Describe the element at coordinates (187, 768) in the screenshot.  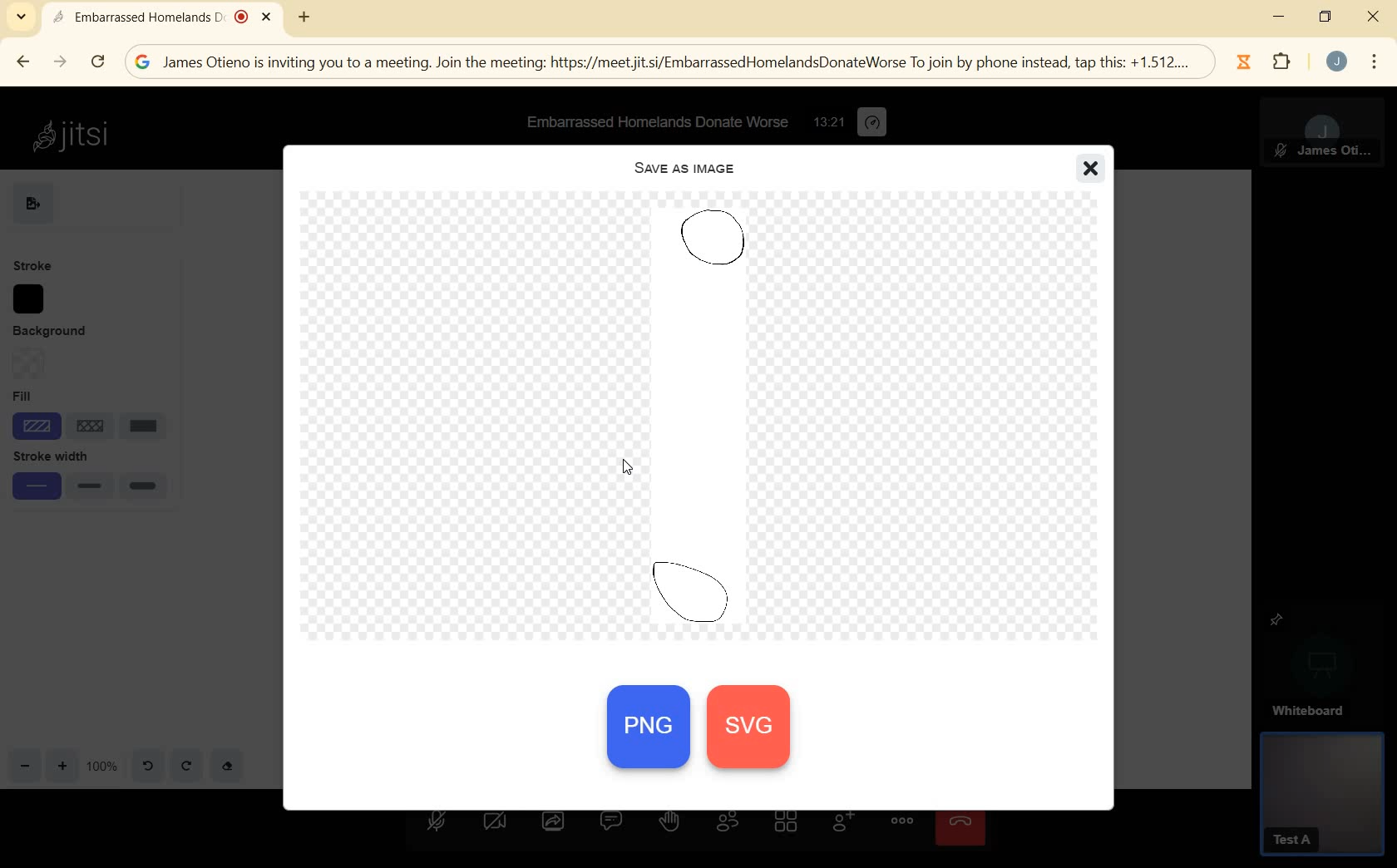
I see `redo` at that location.